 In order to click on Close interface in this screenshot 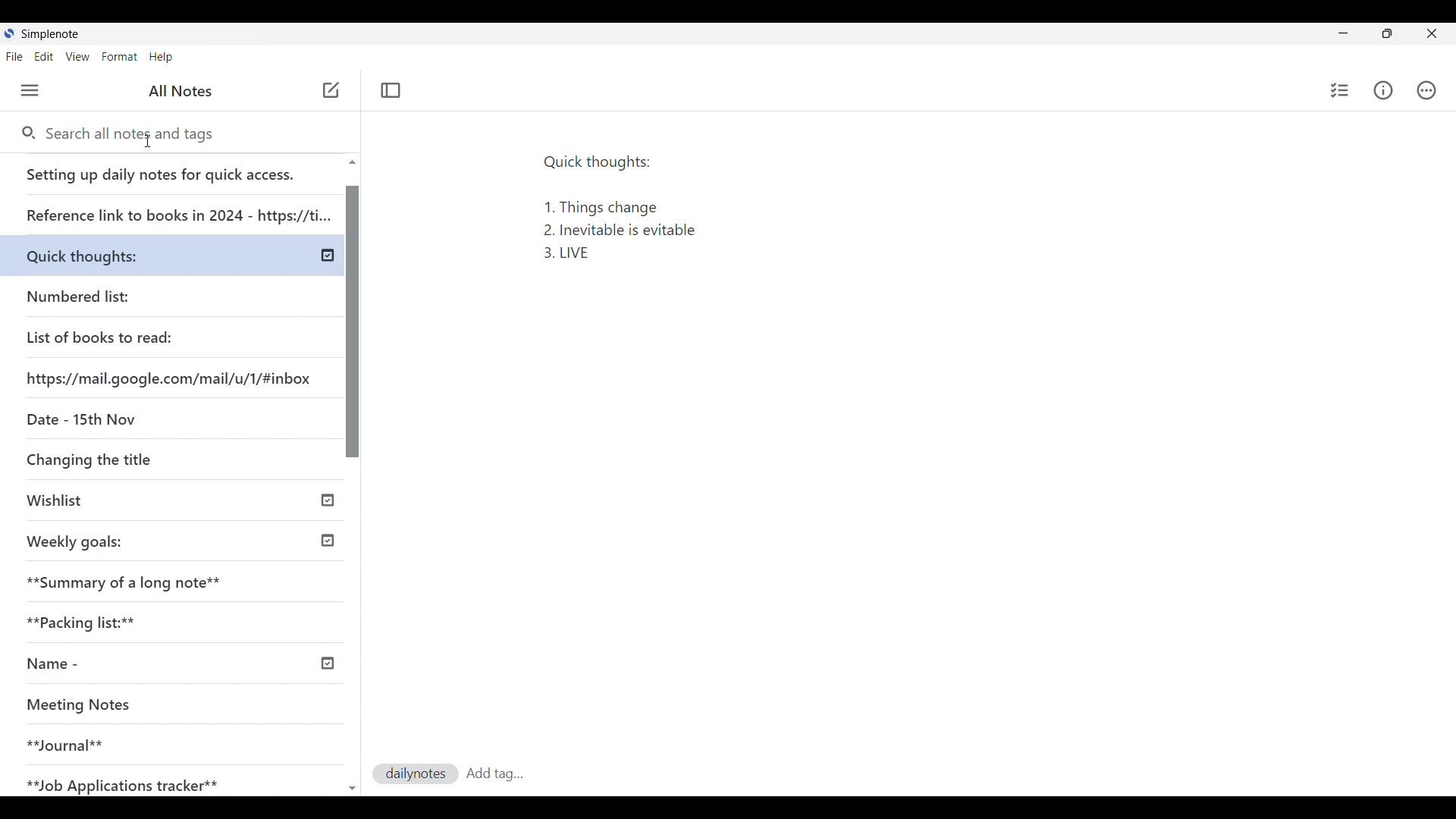, I will do `click(1432, 33)`.